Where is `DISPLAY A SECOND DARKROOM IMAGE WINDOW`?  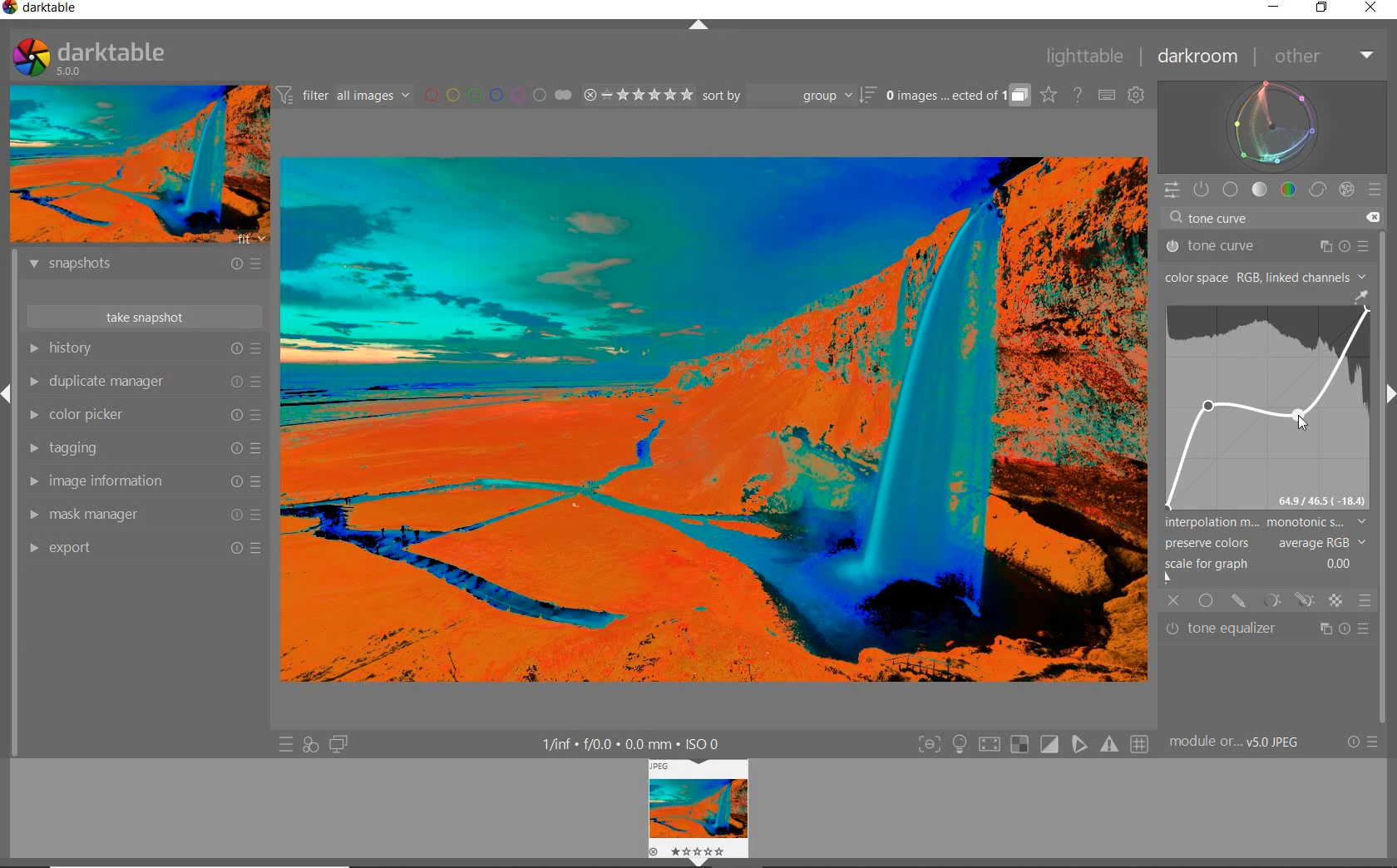
DISPLAY A SECOND DARKROOM IMAGE WINDOW is located at coordinates (339, 744).